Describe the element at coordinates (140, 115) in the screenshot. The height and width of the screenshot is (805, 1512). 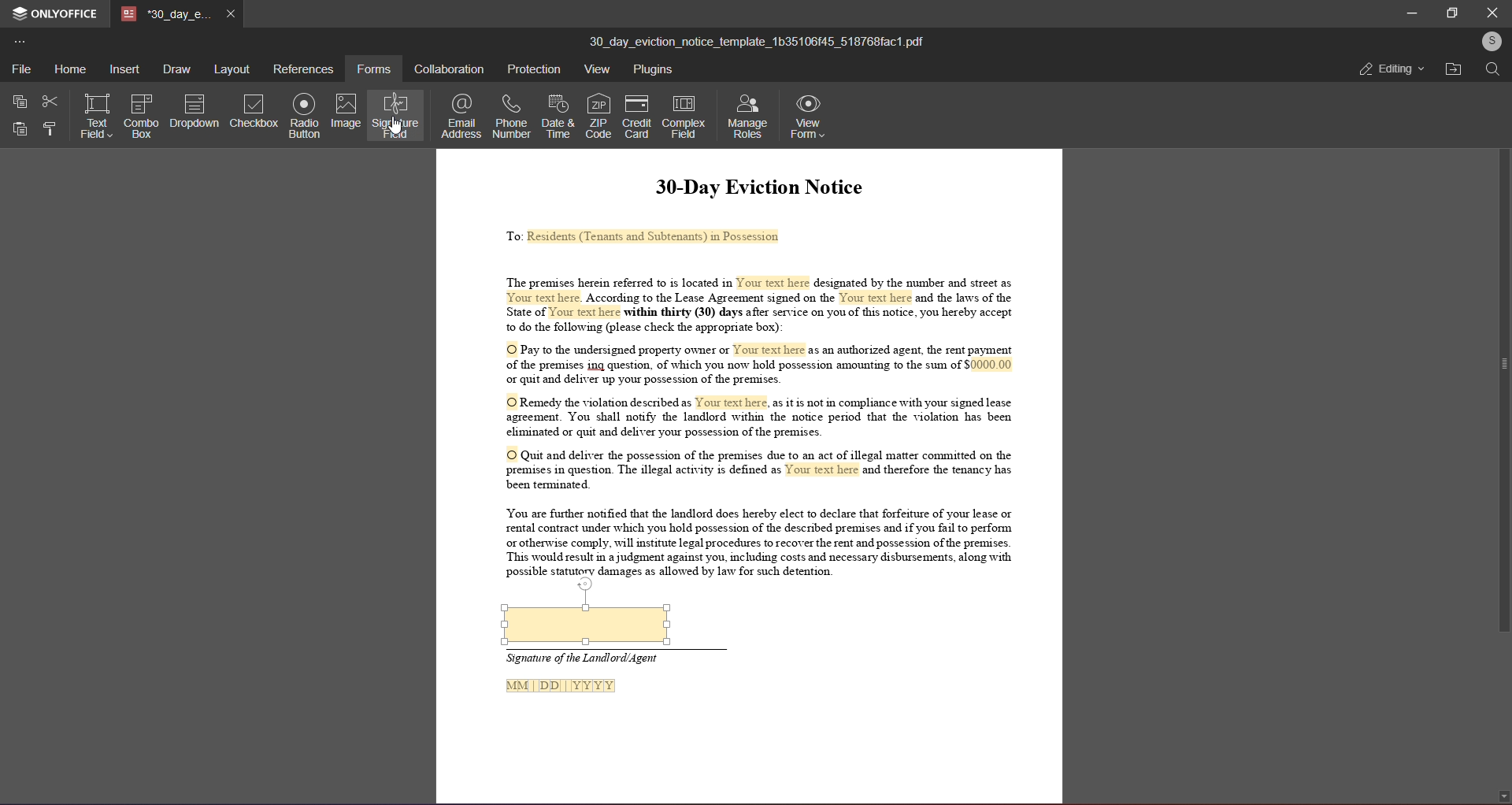
I see `combo box` at that location.